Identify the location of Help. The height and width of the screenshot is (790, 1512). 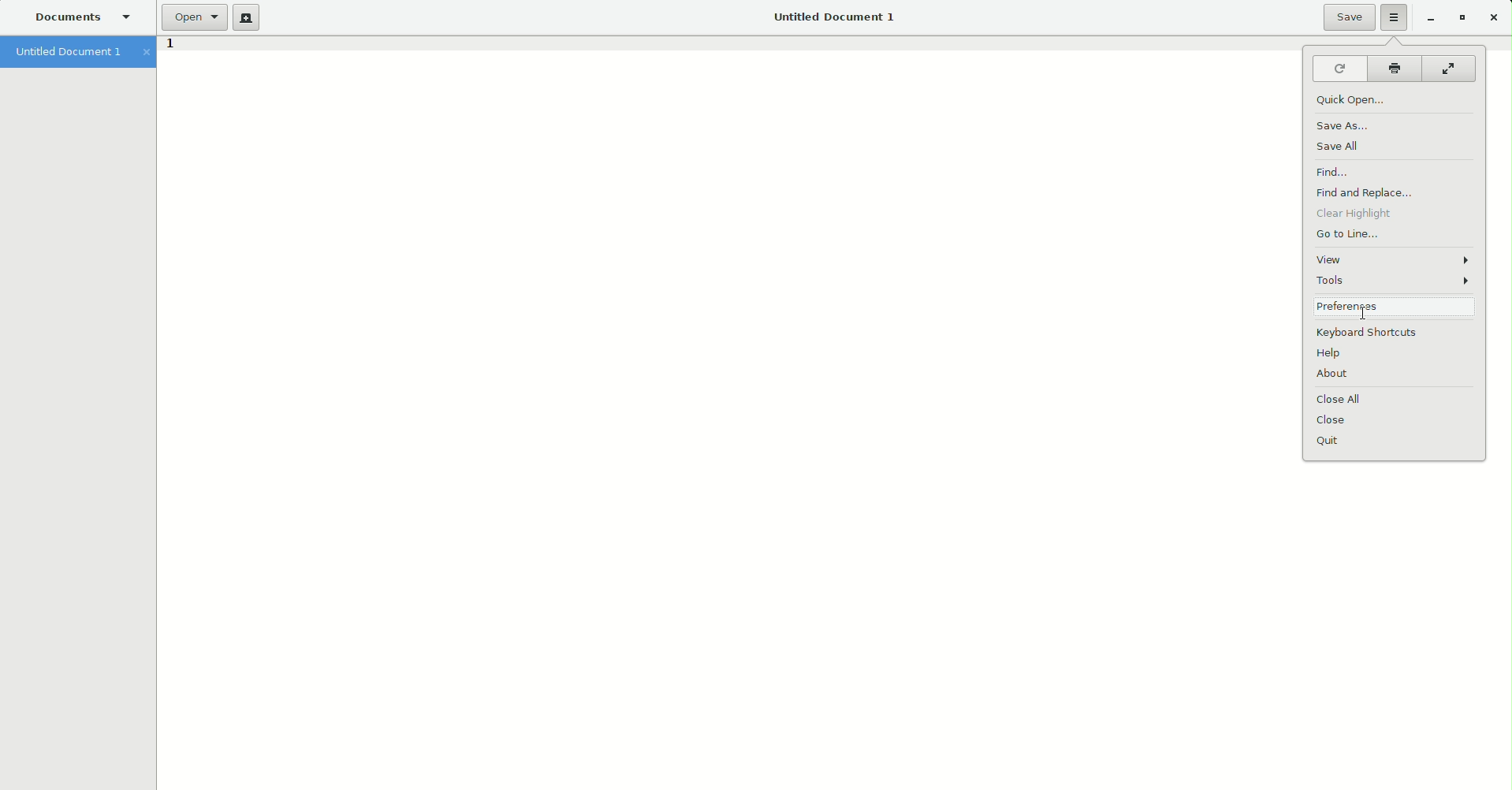
(1335, 354).